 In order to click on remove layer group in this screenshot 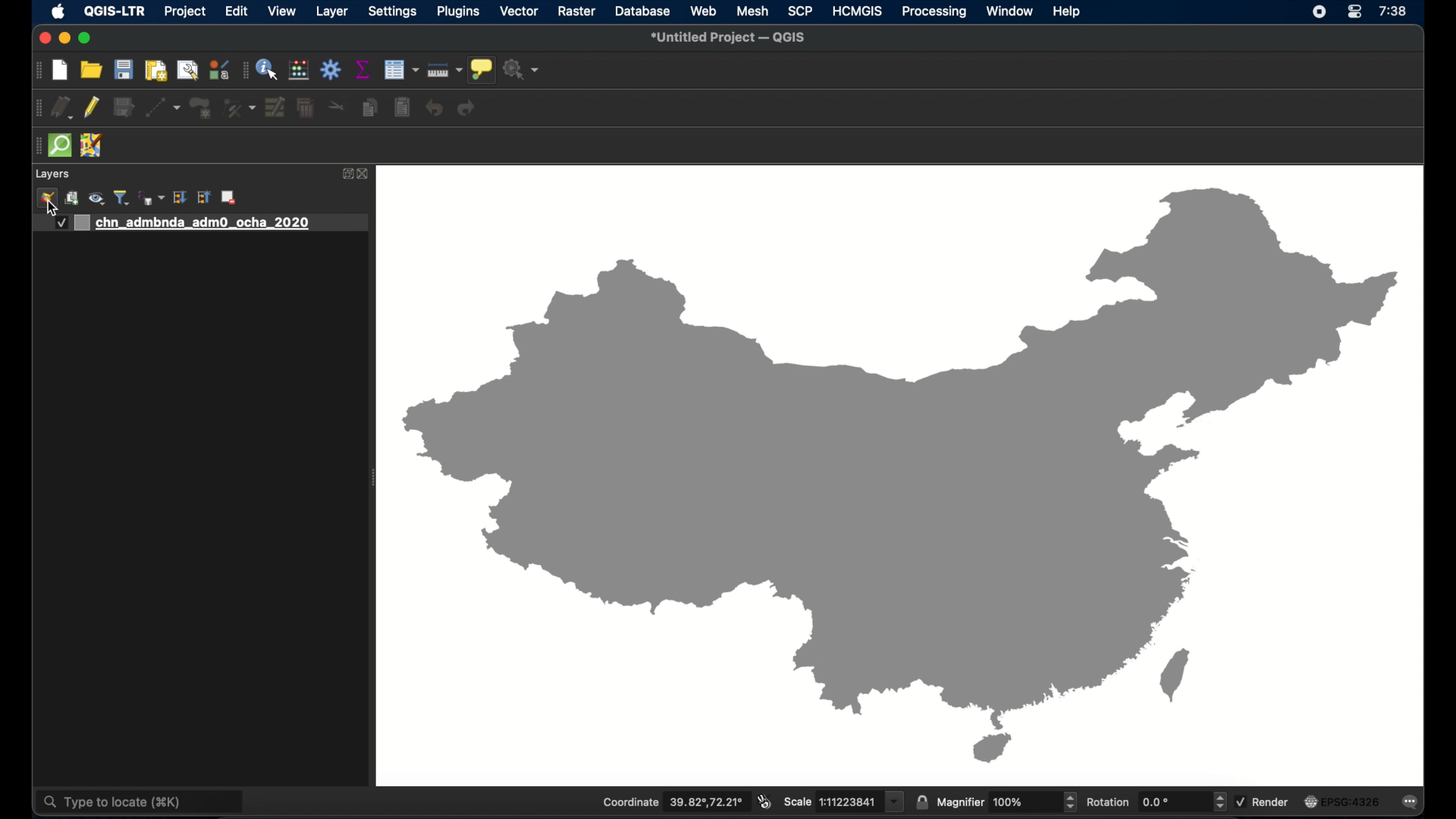, I will do `click(228, 197)`.